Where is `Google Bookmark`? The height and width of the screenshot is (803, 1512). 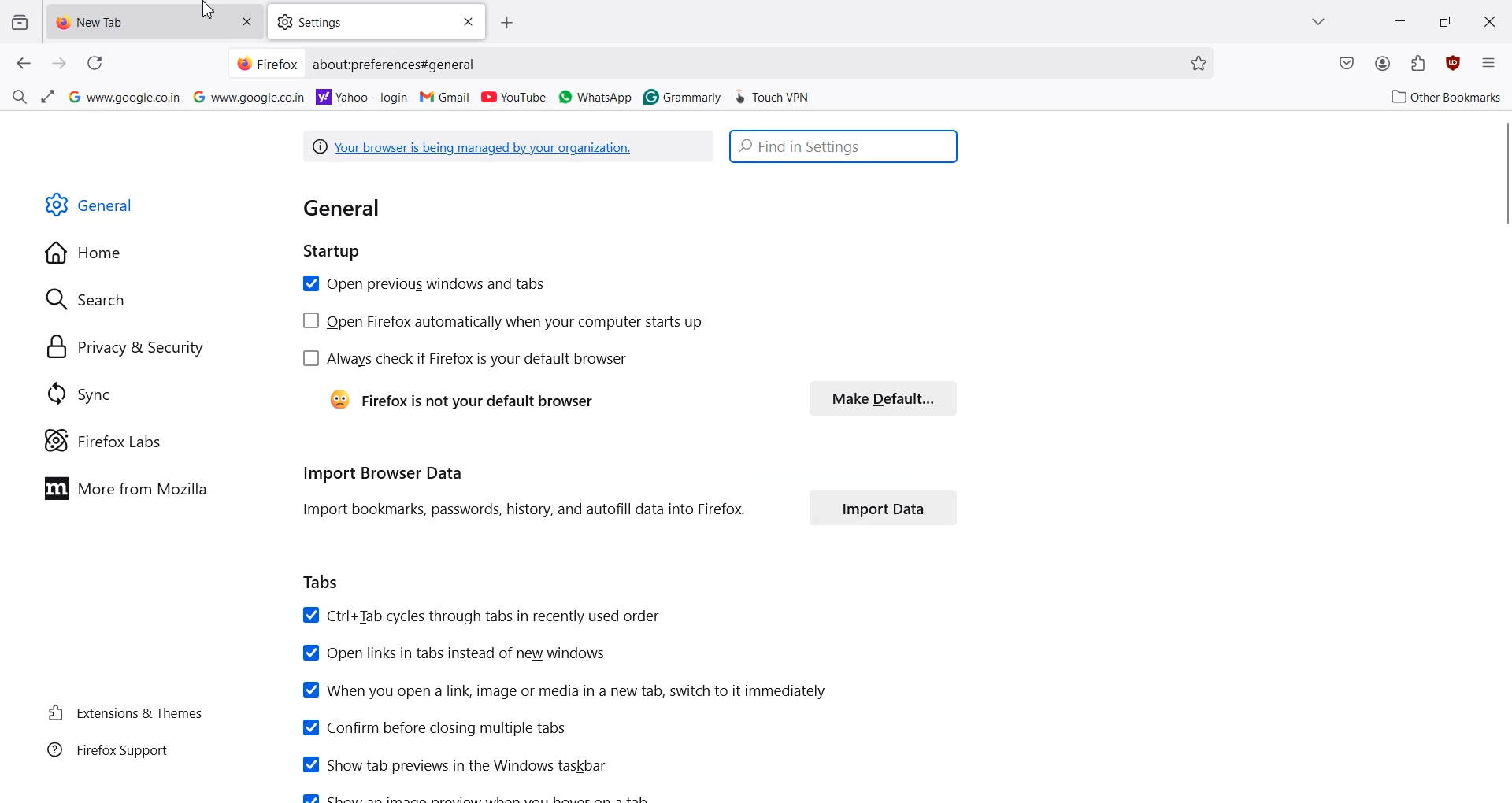
Google Bookmark is located at coordinates (123, 97).